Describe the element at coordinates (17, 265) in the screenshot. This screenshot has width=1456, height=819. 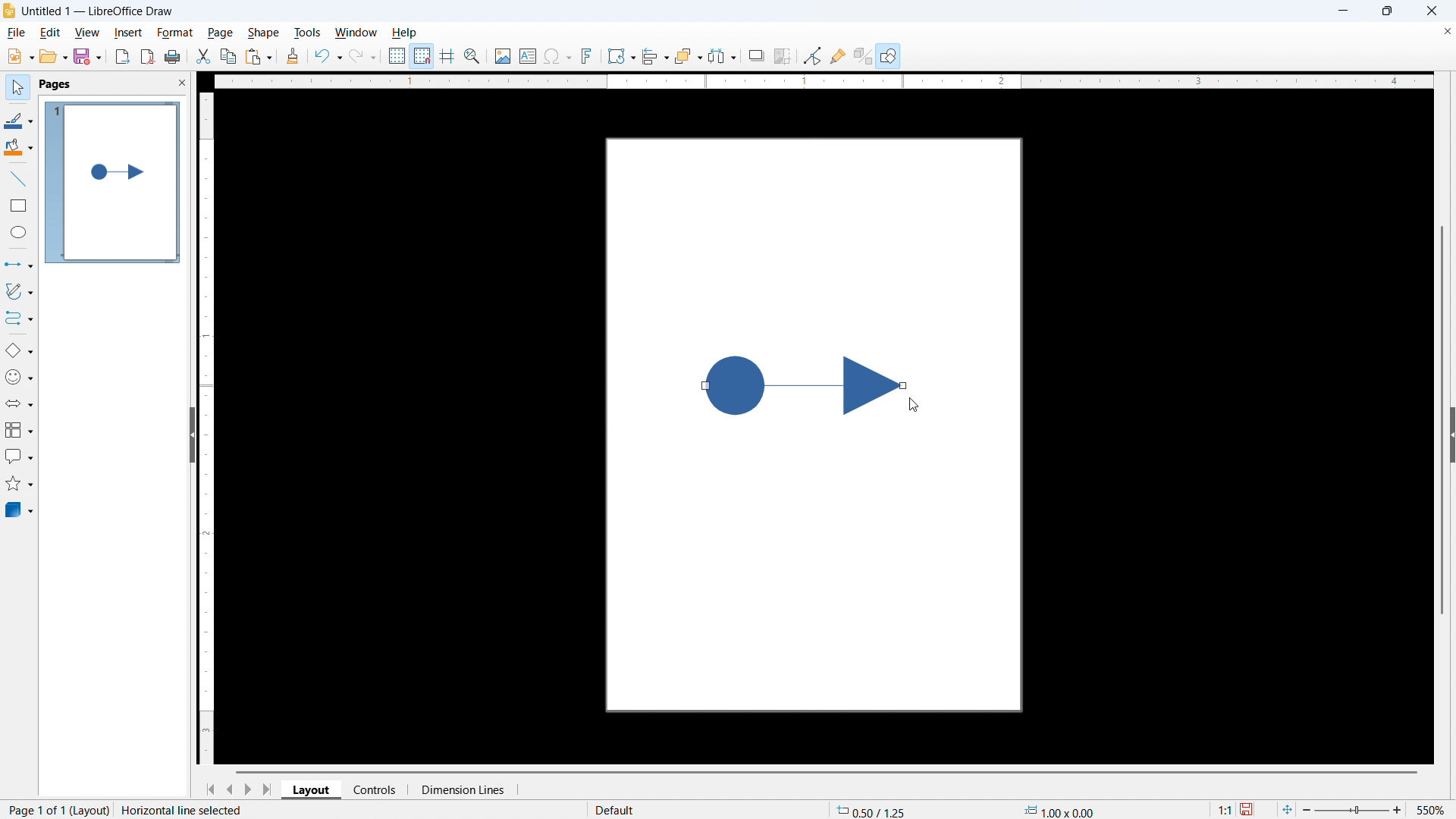
I see `lline with circle end selected` at that location.